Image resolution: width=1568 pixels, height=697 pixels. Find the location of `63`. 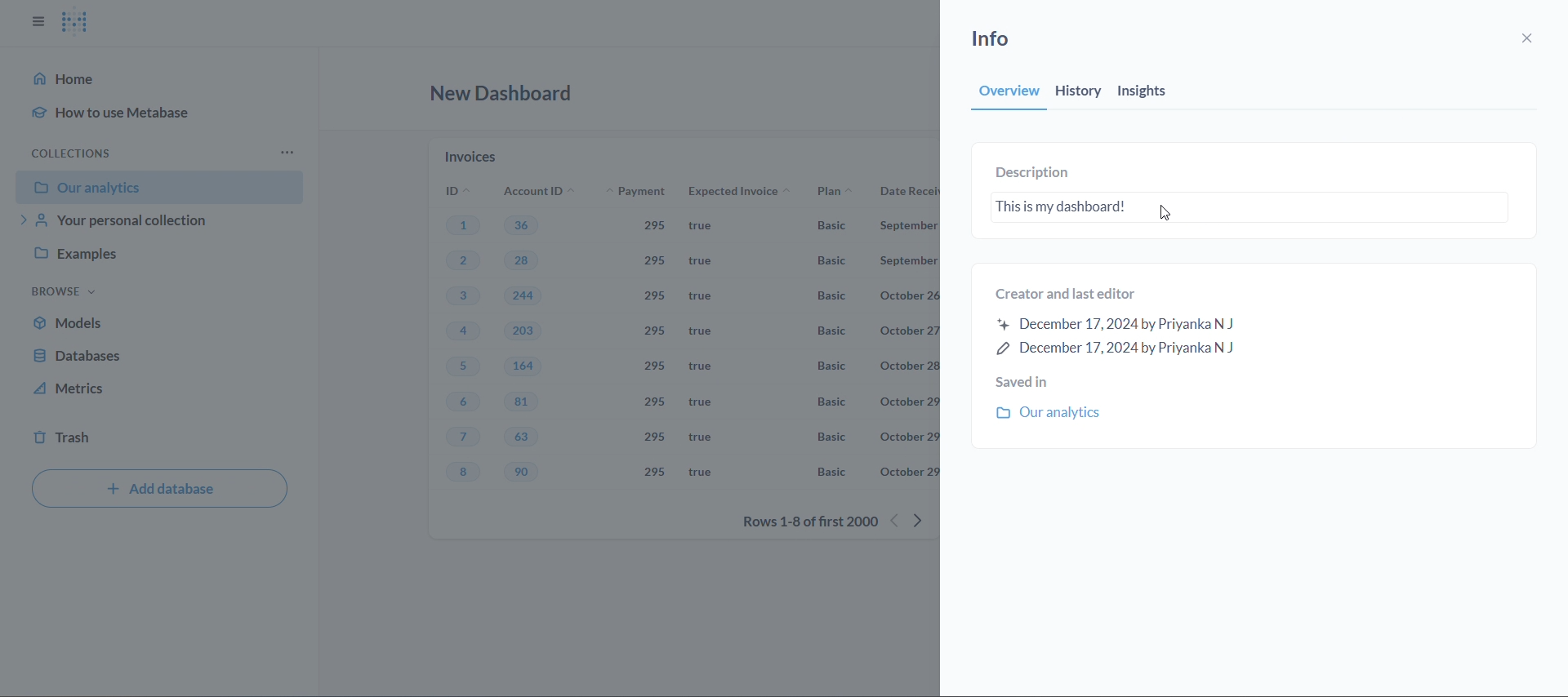

63 is located at coordinates (526, 437).